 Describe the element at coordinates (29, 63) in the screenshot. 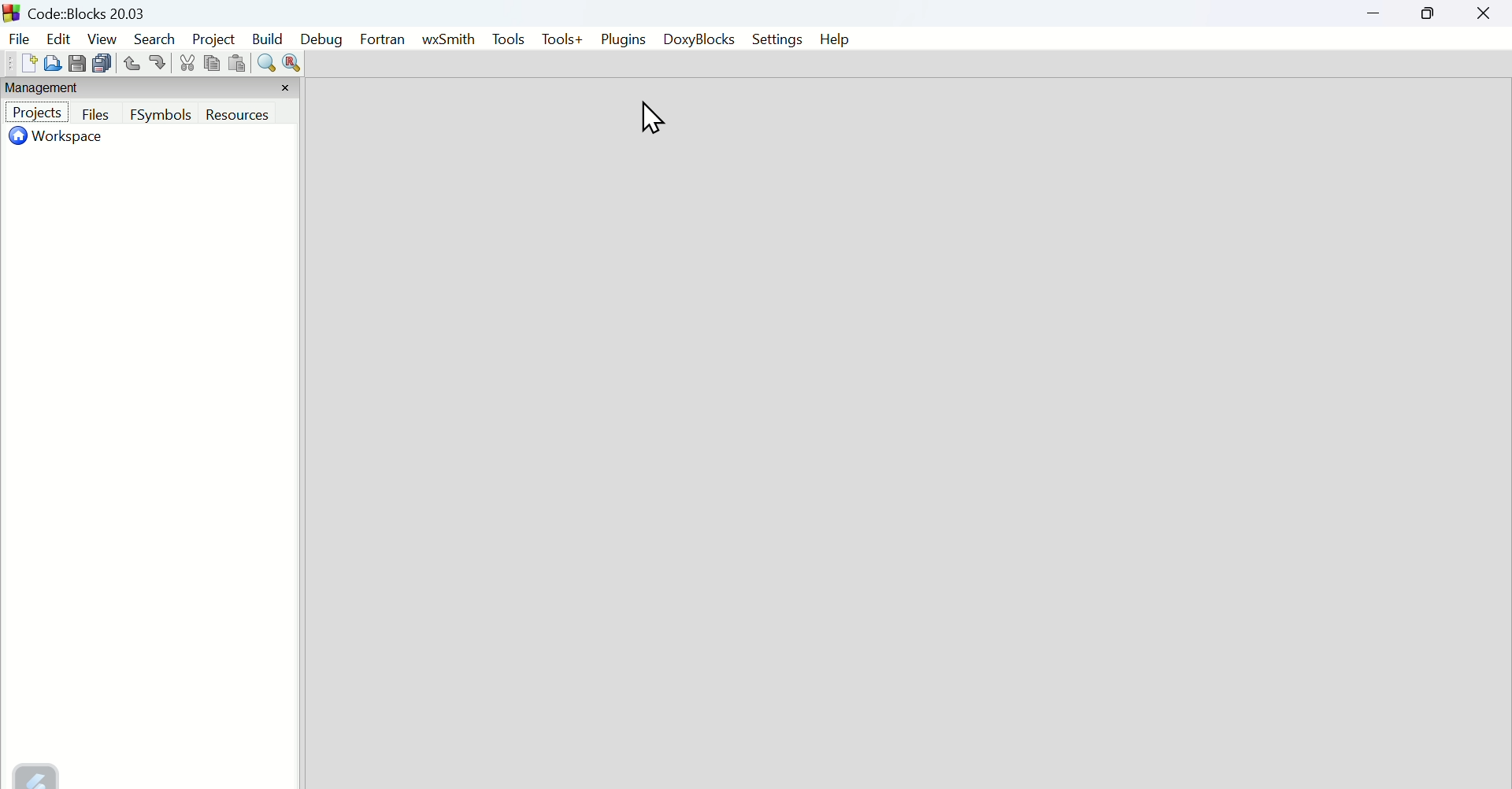

I see `Create new file` at that location.